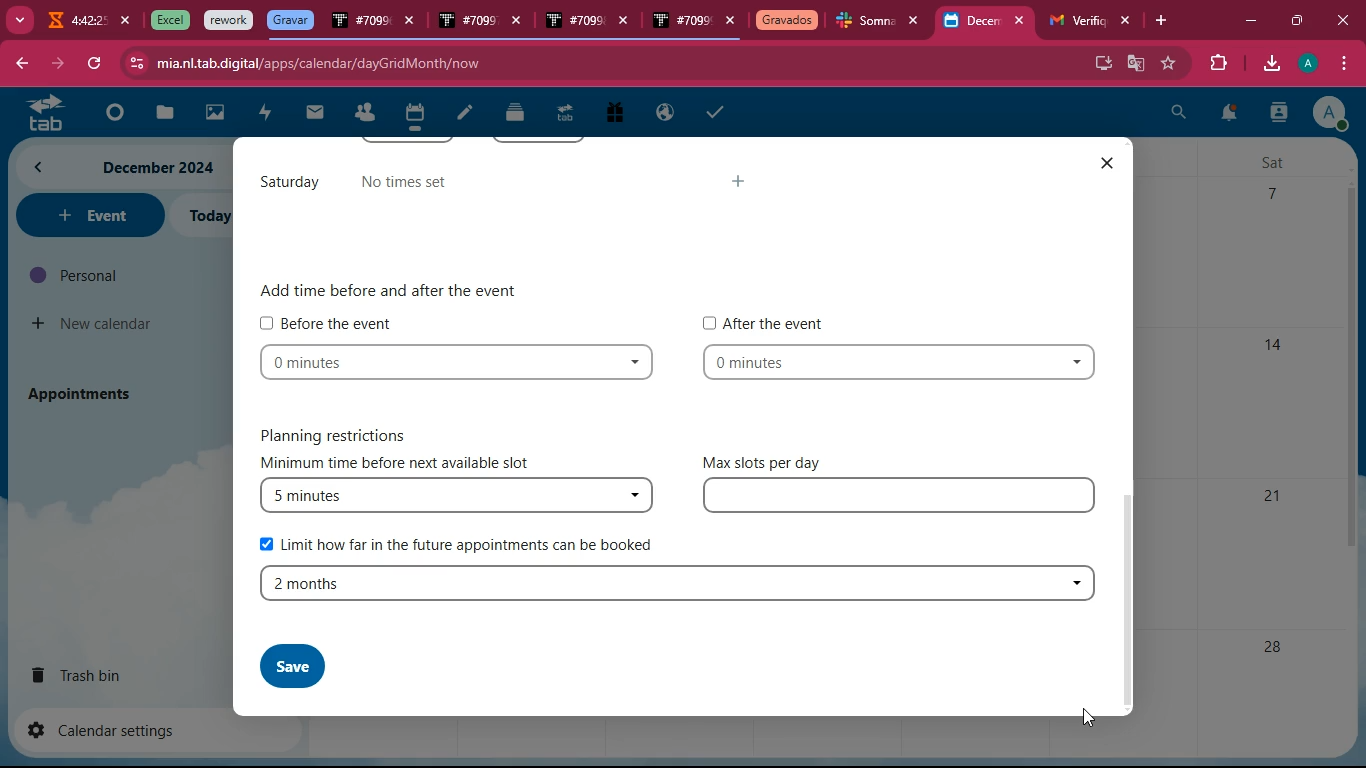 Image resolution: width=1366 pixels, height=768 pixels. I want to click on tab, so click(229, 21).